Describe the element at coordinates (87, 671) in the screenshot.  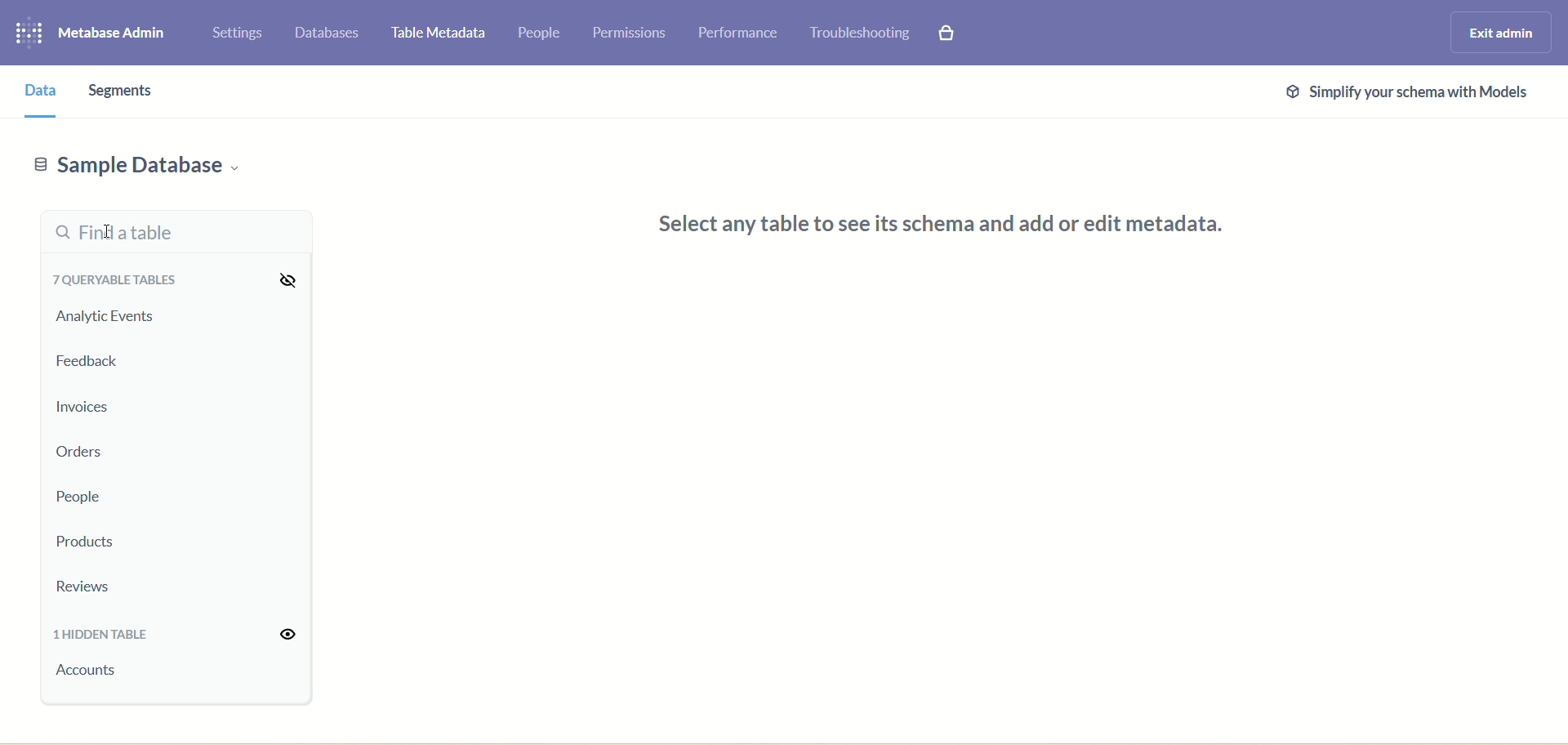
I see `account` at that location.